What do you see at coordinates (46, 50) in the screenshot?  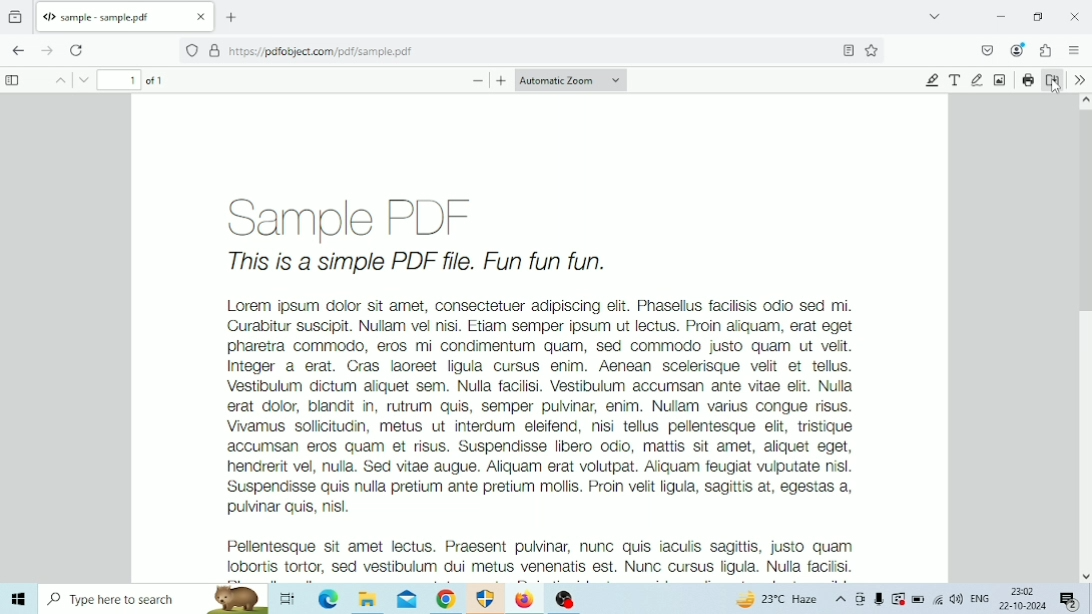 I see `Go forward one page` at bounding box center [46, 50].